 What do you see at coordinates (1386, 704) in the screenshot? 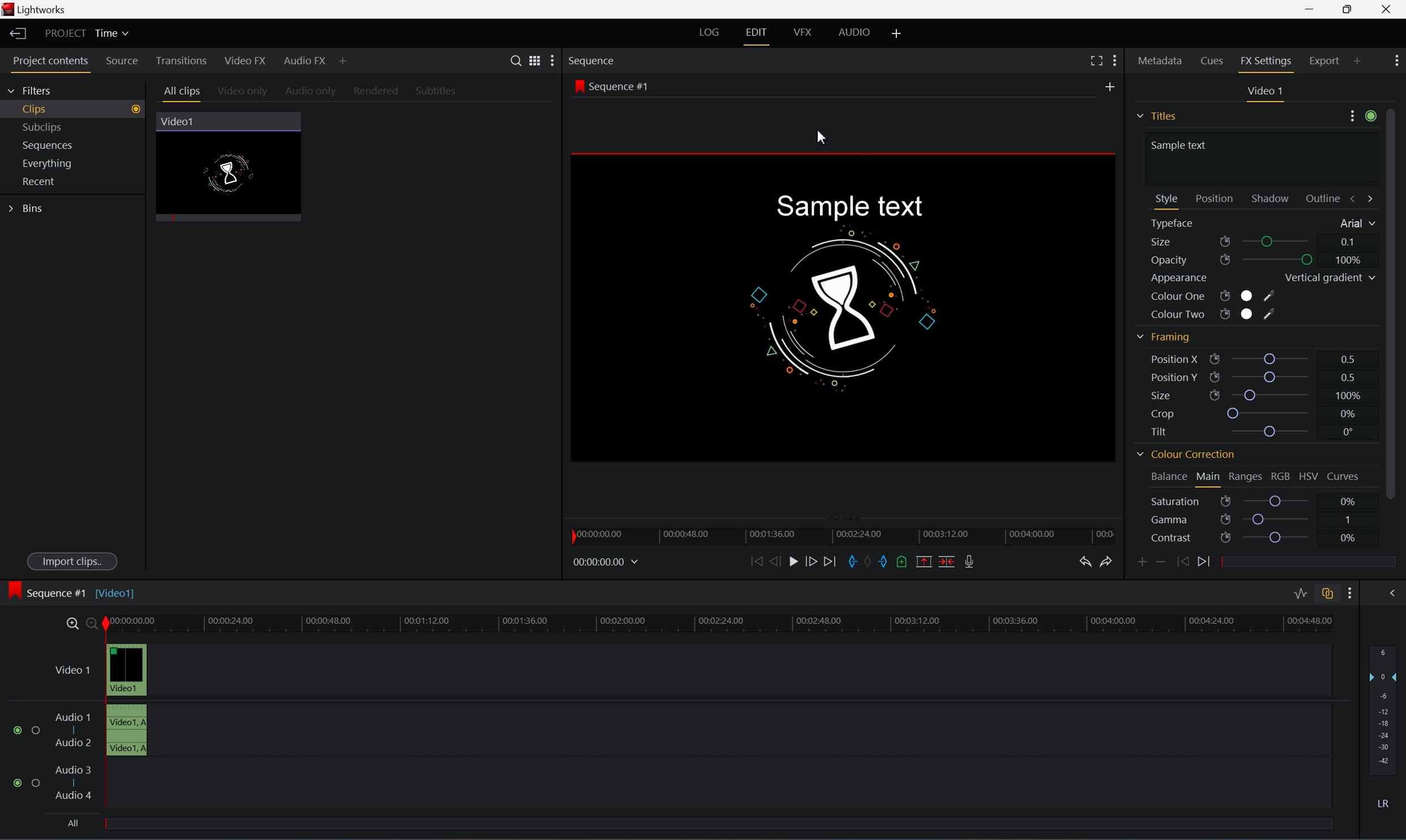
I see `audio output levels` at bounding box center [1386, 704].